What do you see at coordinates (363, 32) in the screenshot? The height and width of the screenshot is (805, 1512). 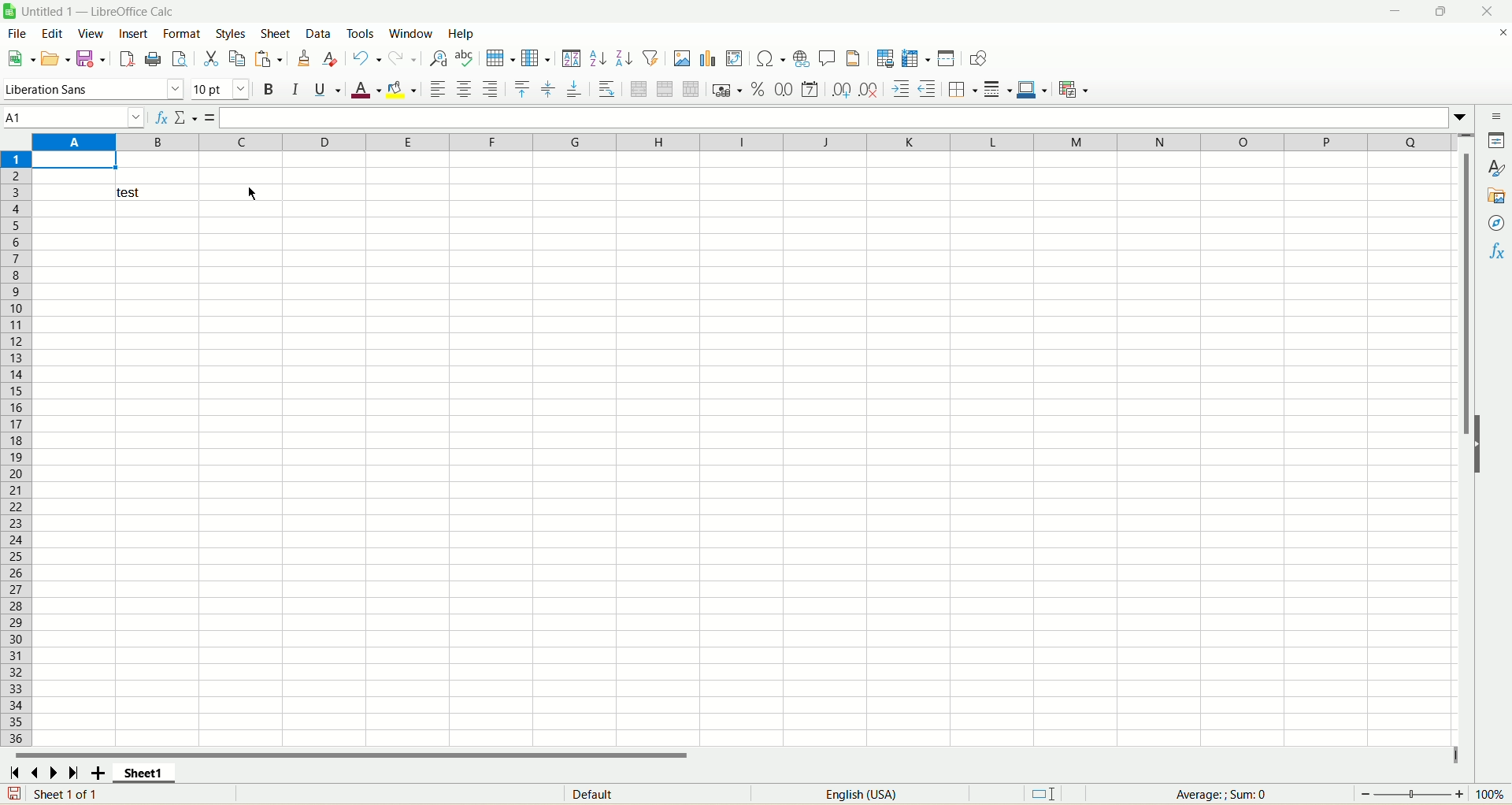 I see `tools` at bounding box center [363, 32].